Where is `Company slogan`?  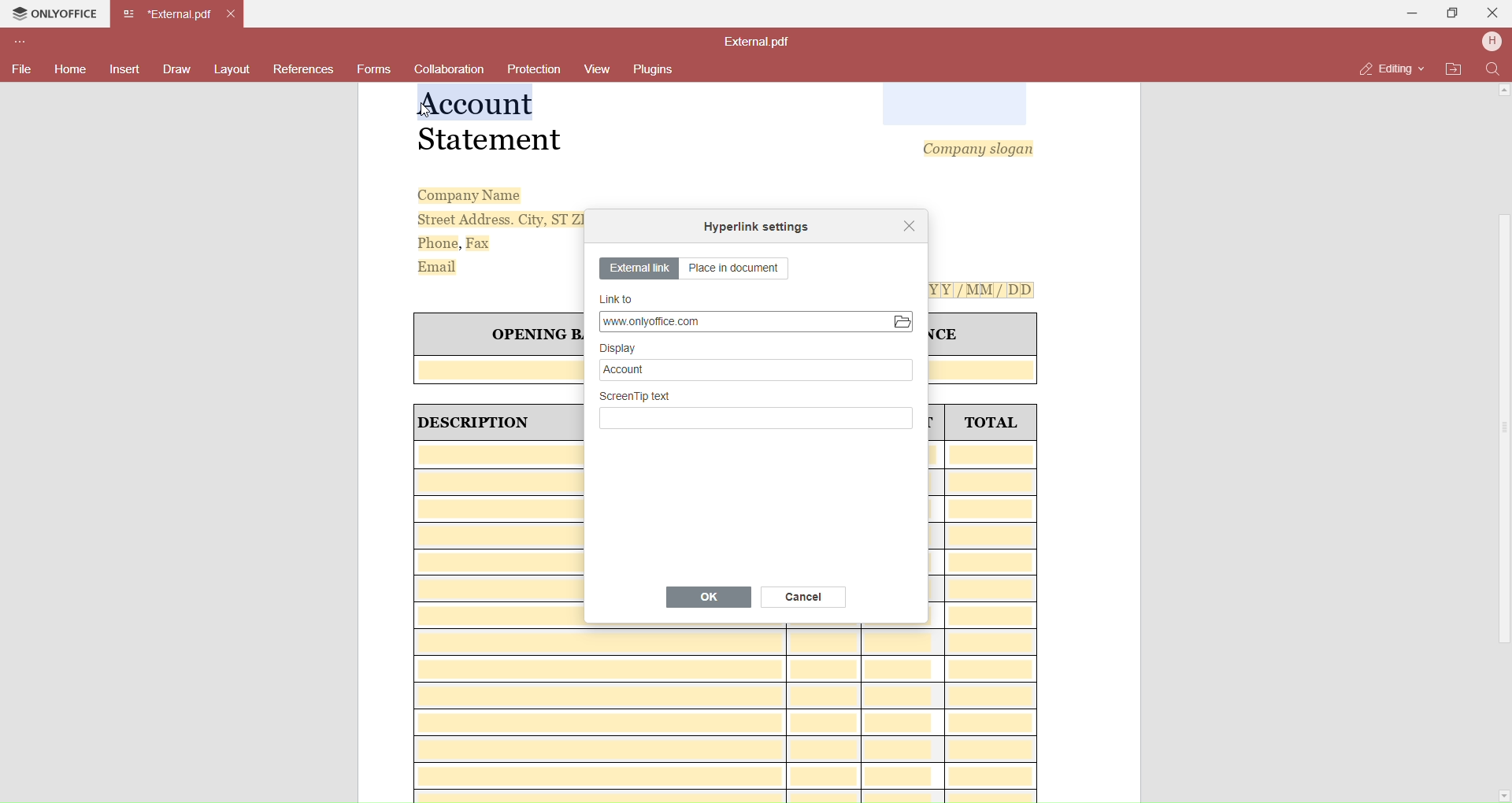
Company slogan is located at coordinates (980, 147).